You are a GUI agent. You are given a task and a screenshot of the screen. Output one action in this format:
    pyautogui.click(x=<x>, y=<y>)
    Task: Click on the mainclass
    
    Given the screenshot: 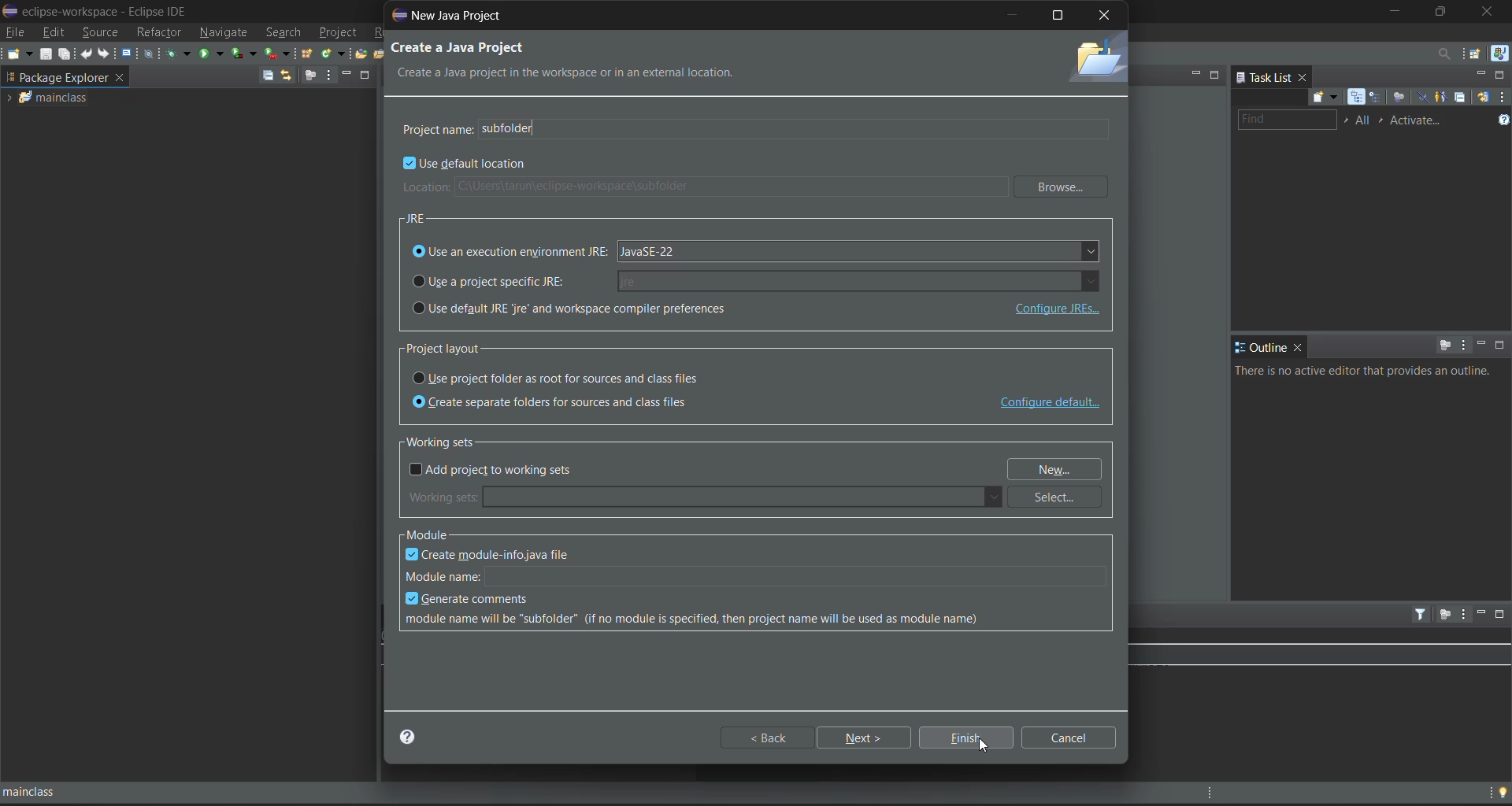 What is the action you would take?
    pyautogui.click(x=47, y=792)
    